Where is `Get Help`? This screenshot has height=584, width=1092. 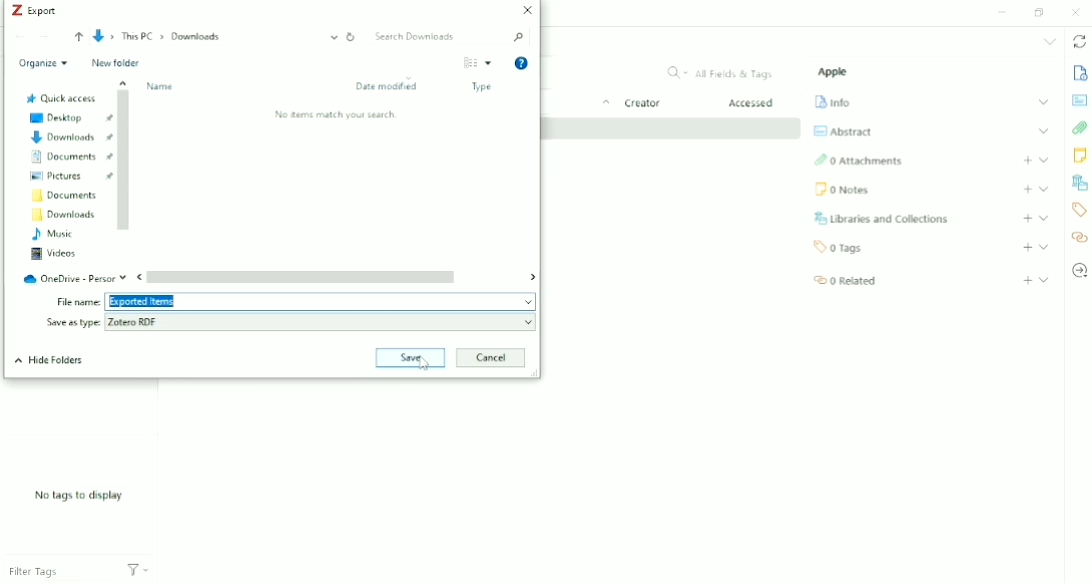
Get Help is located at coordinates (522, 64).